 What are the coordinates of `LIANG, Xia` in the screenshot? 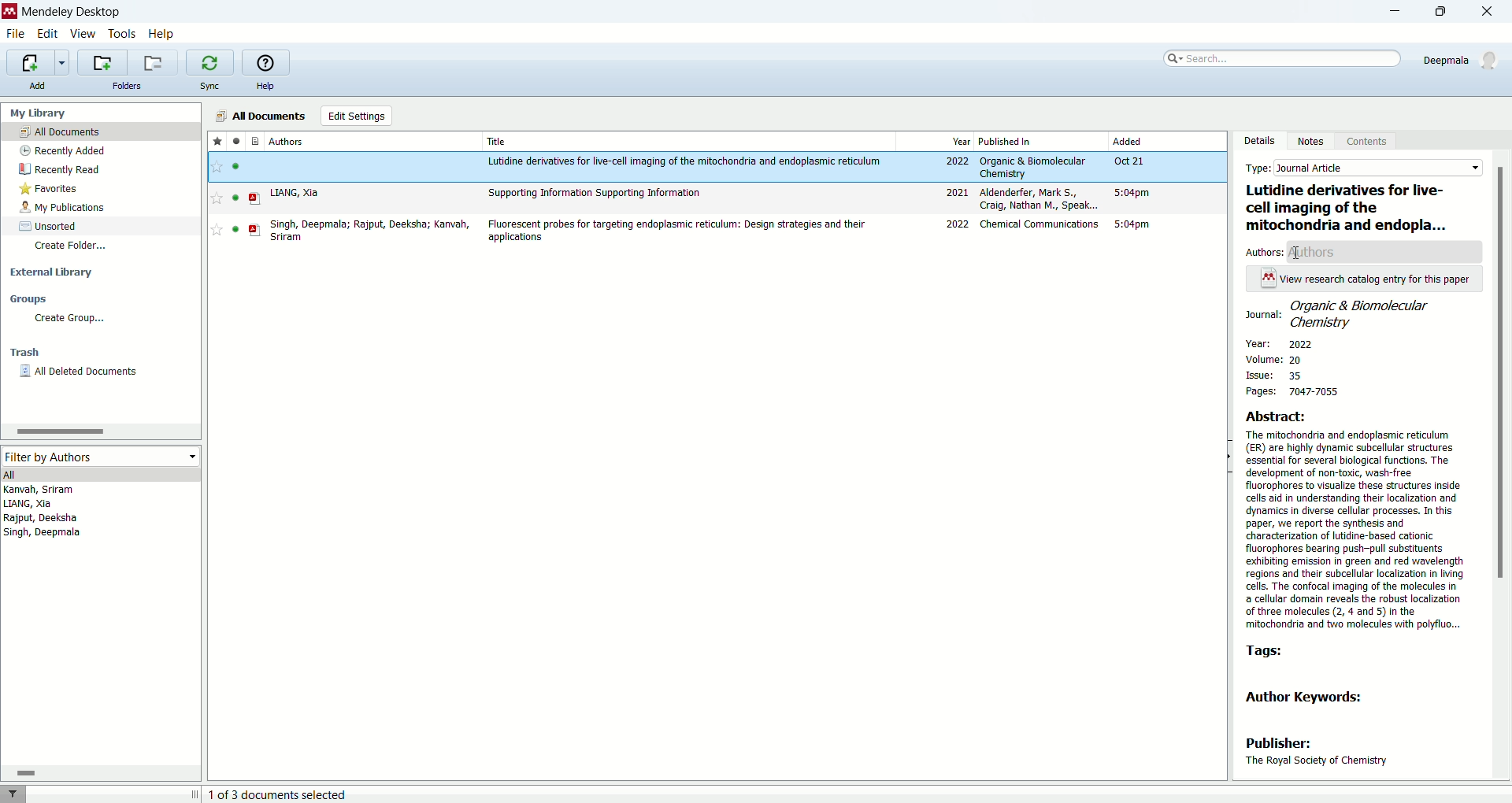 It's located at (295, 193).